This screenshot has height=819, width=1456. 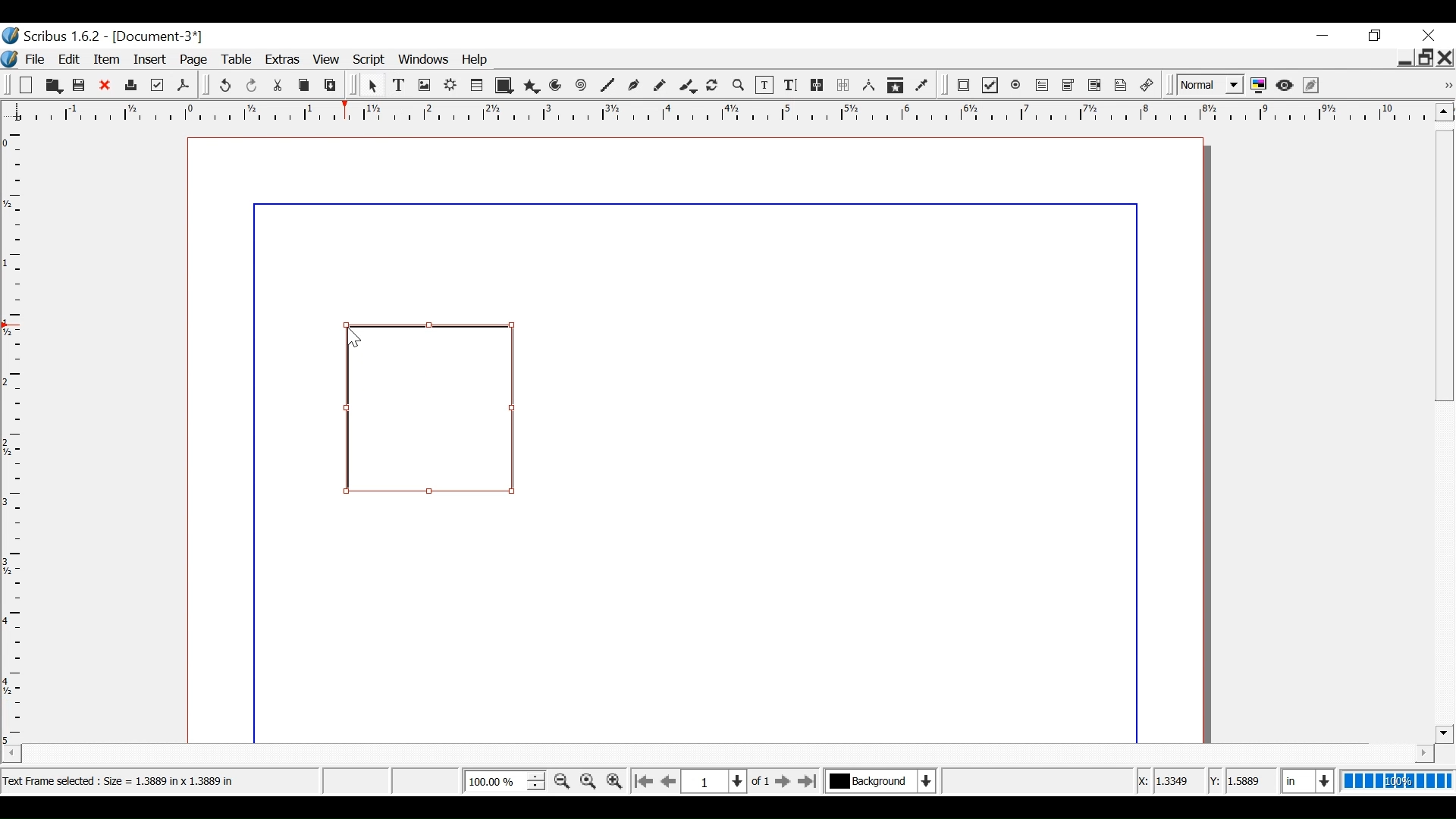 What do you see at coordinates (327, 59) in the screenshot?
I see `View` at bounding box center [327, 59].